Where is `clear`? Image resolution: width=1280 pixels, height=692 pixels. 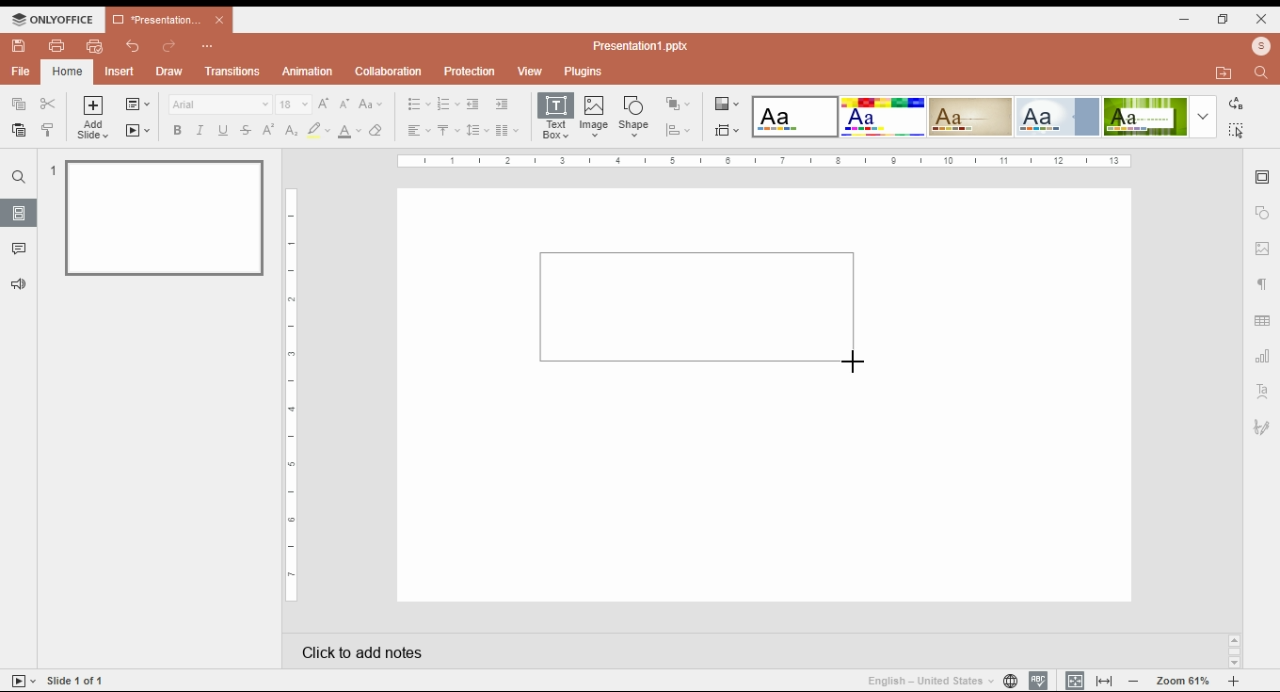
clear is located at coordinates (380, 130).